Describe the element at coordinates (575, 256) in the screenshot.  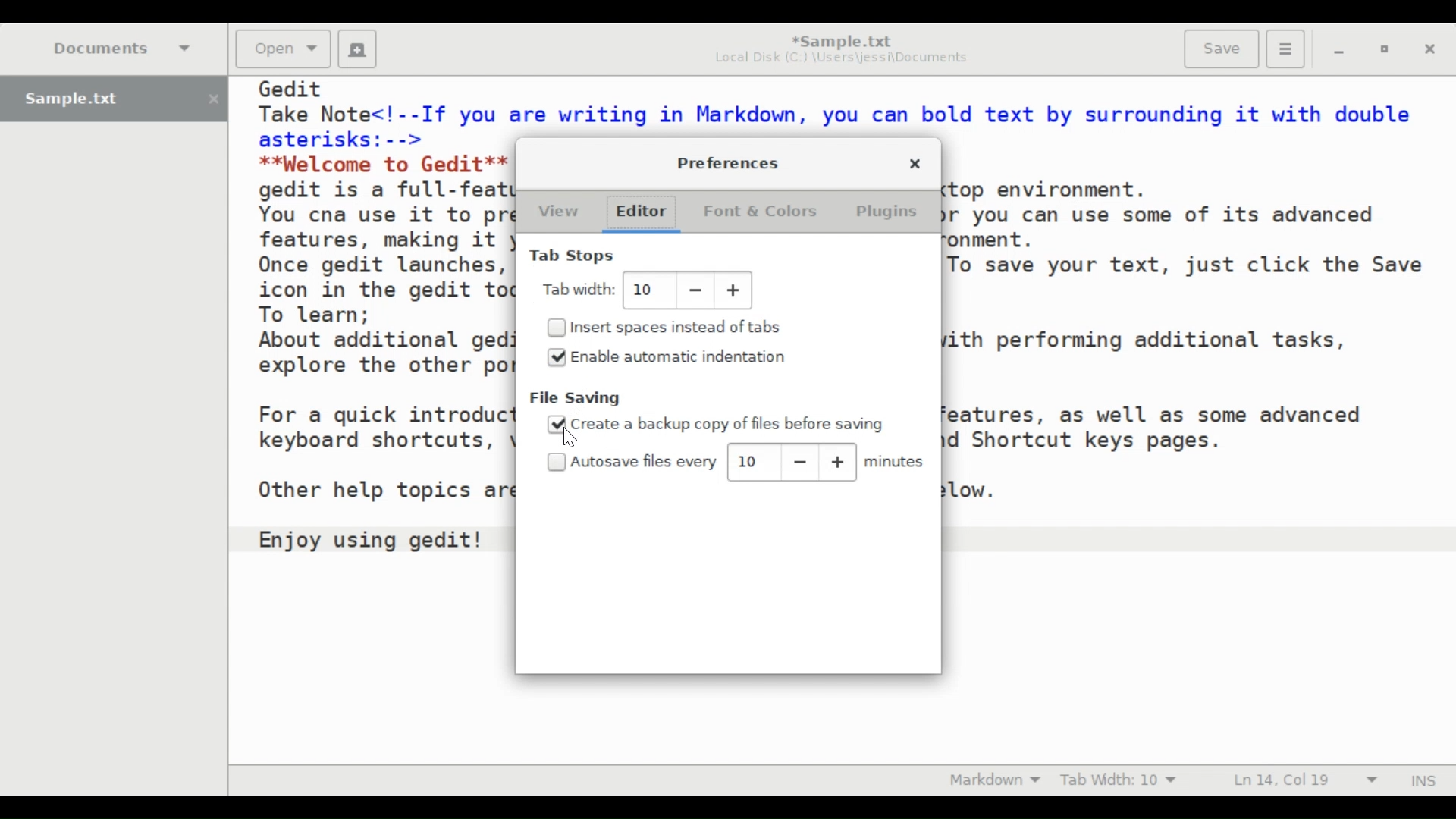
I see `Tab Stops` at that location.